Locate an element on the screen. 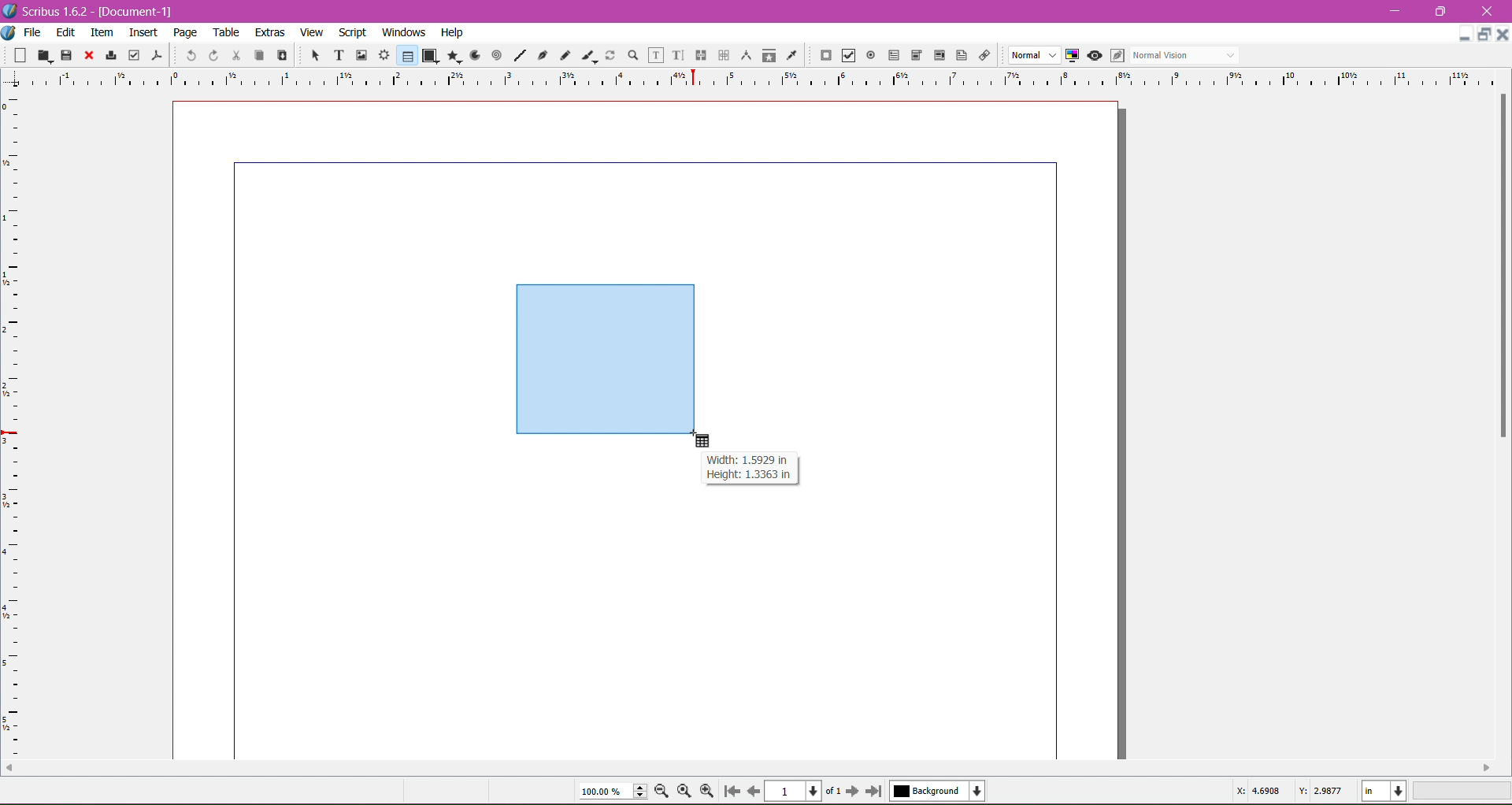 The image size is (1512, 805). Edit Text in Frames is located at coordinates (656, 55).